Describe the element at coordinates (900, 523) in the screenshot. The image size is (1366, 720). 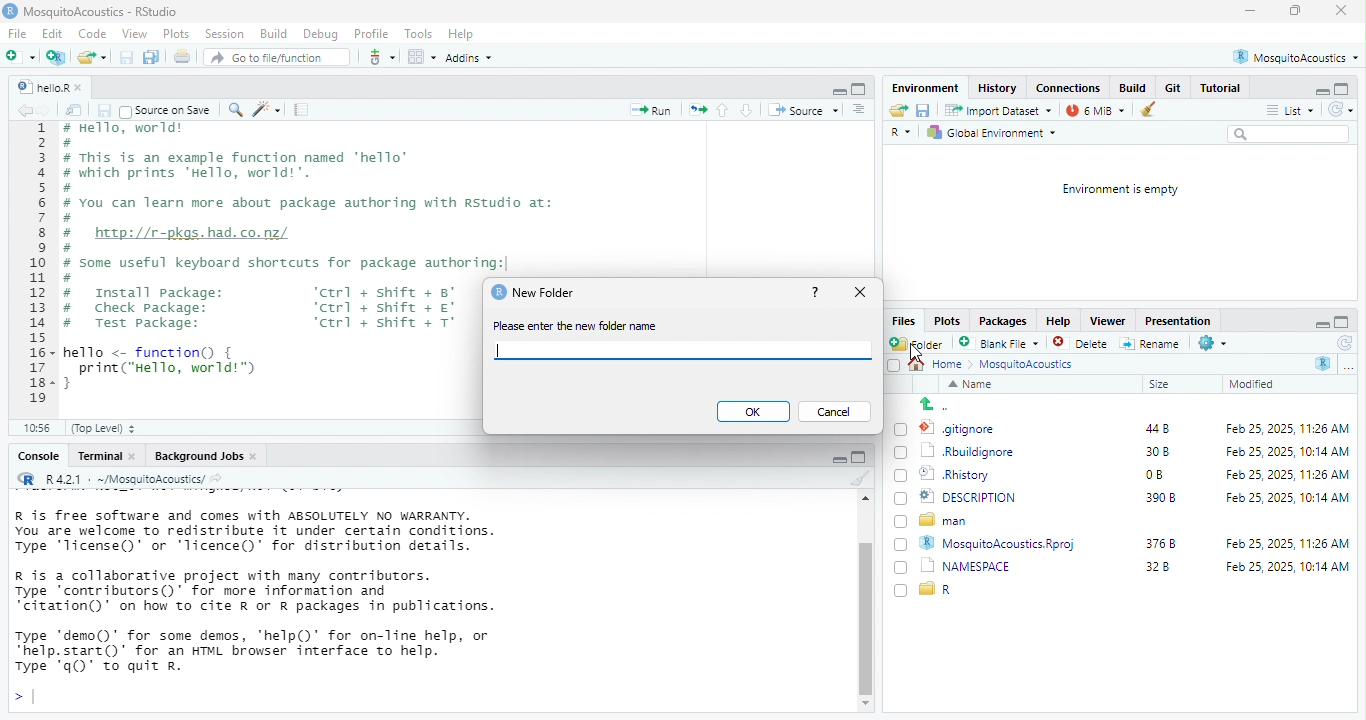
I see `checkbox` at that location.